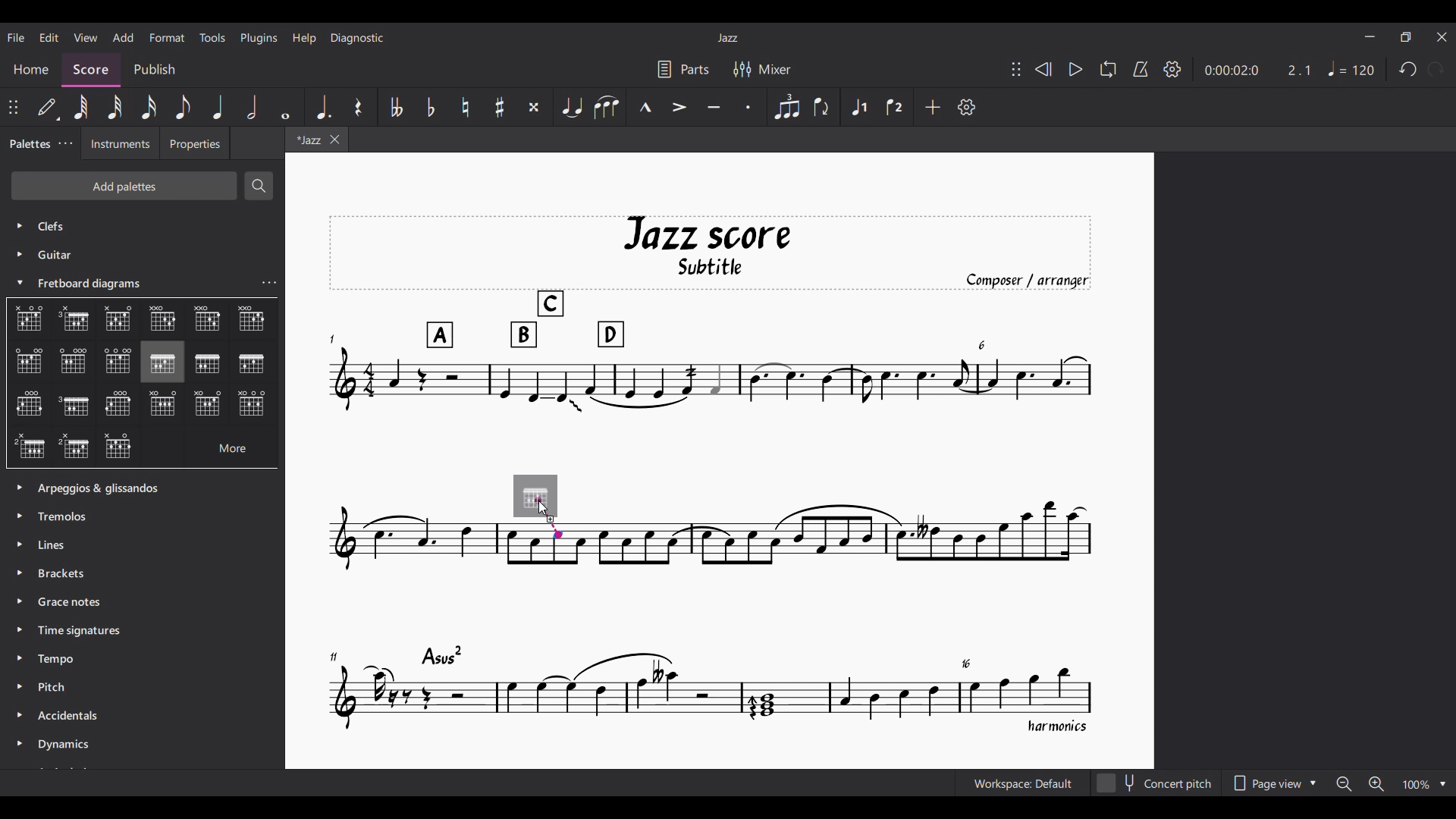 The width and height of the screenshot is (1456, 819). Describe the element at coordinates (572, 106) in the screenshot. I see `Tie` at that location.